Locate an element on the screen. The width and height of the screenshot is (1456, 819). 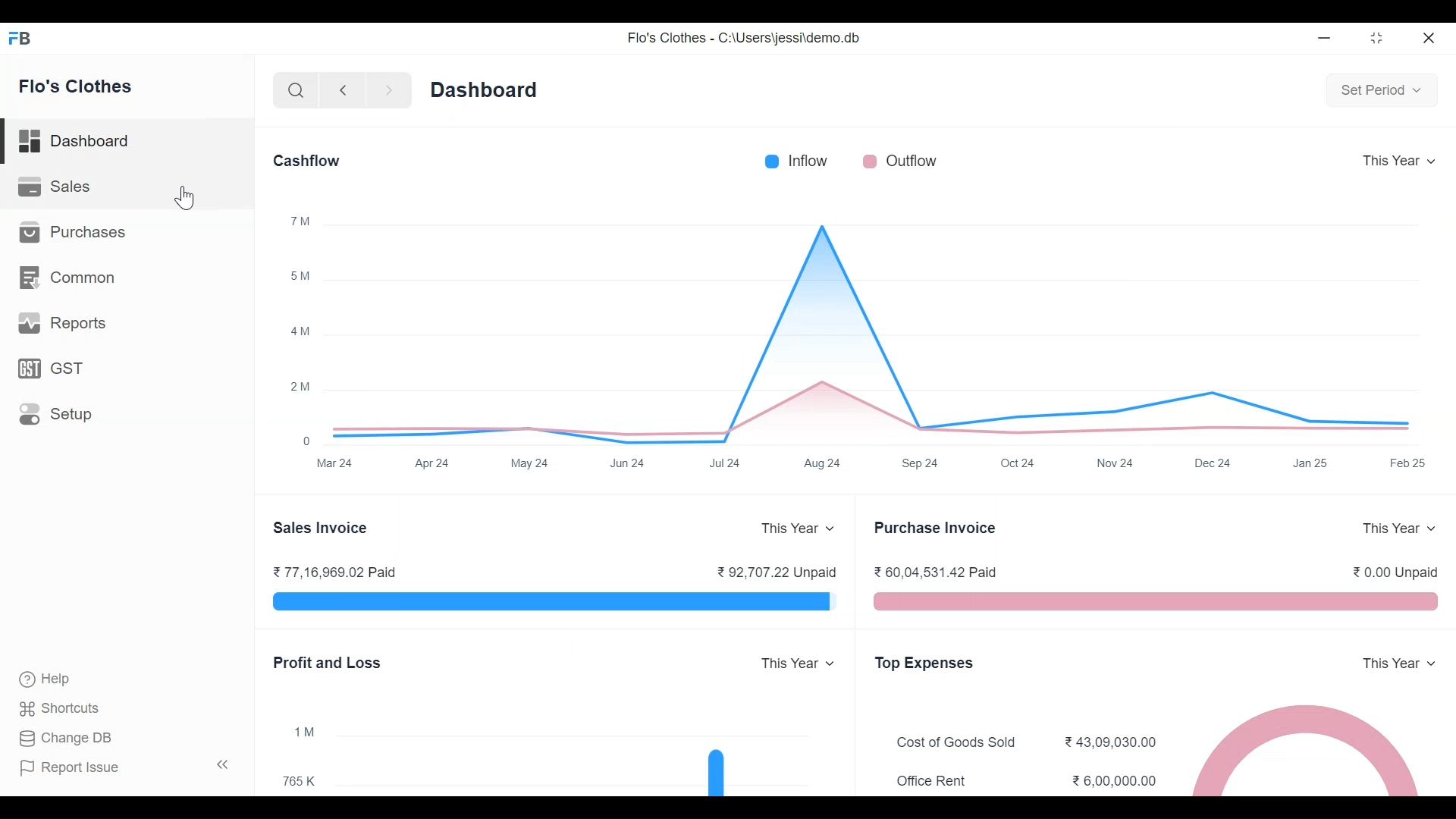
visual representation of purchase invoice of paid and unpaid of the year is located at coordinates (1156, 602).